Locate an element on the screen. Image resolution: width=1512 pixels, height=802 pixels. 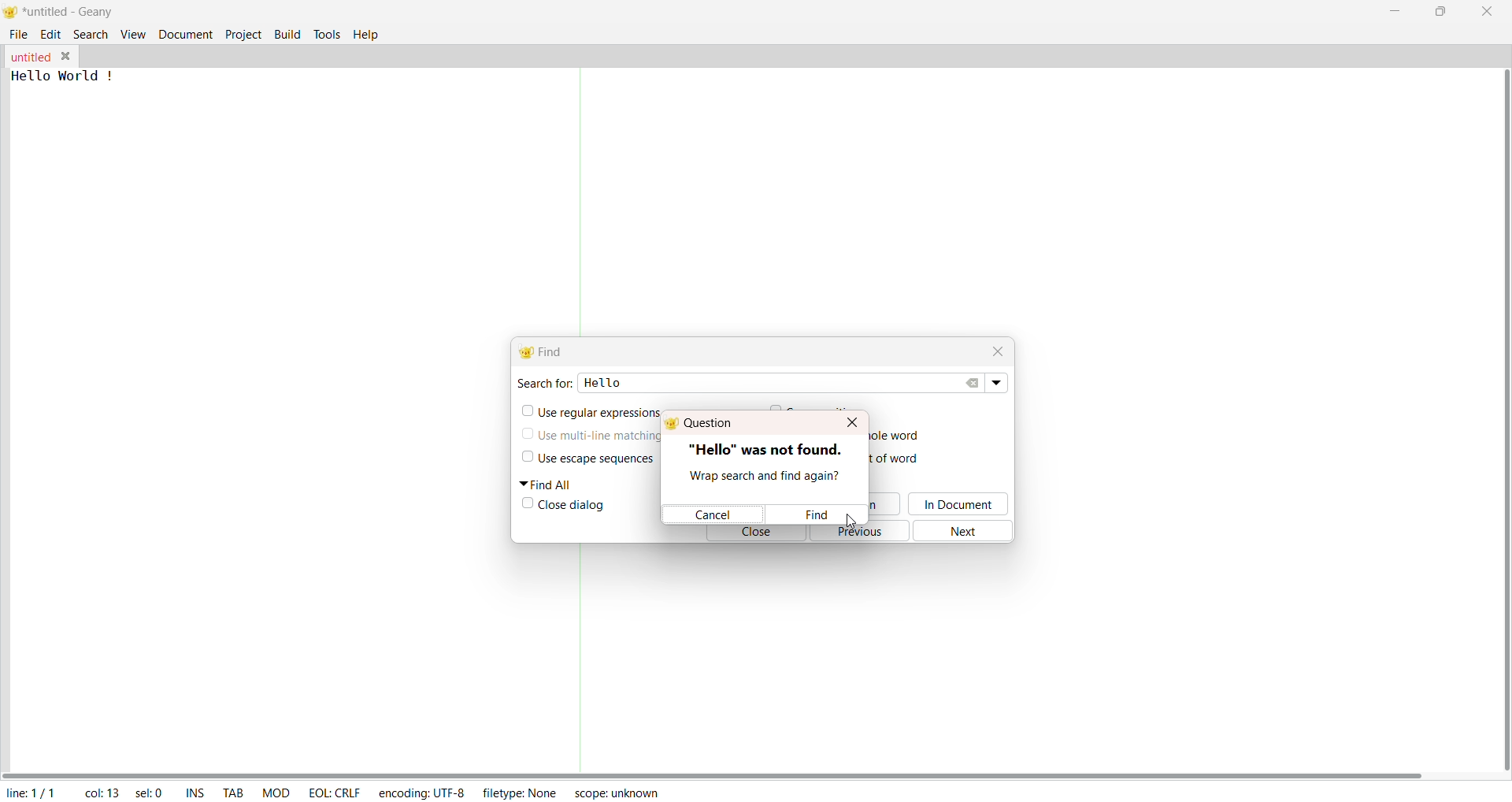
Close Dialog Box is located at coordinates (998, 350).